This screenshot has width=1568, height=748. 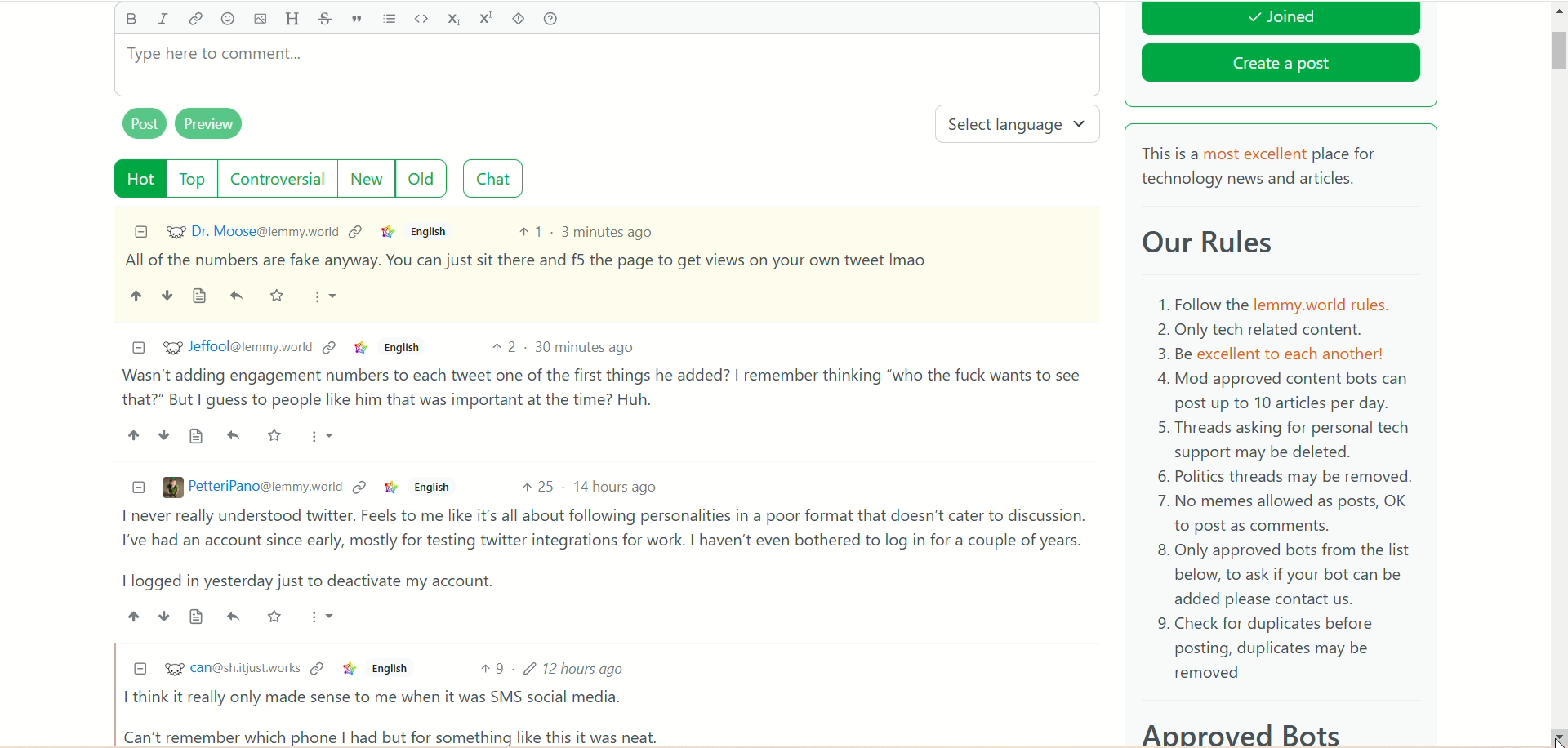 I want to click on More, so click(x=325, y=616).